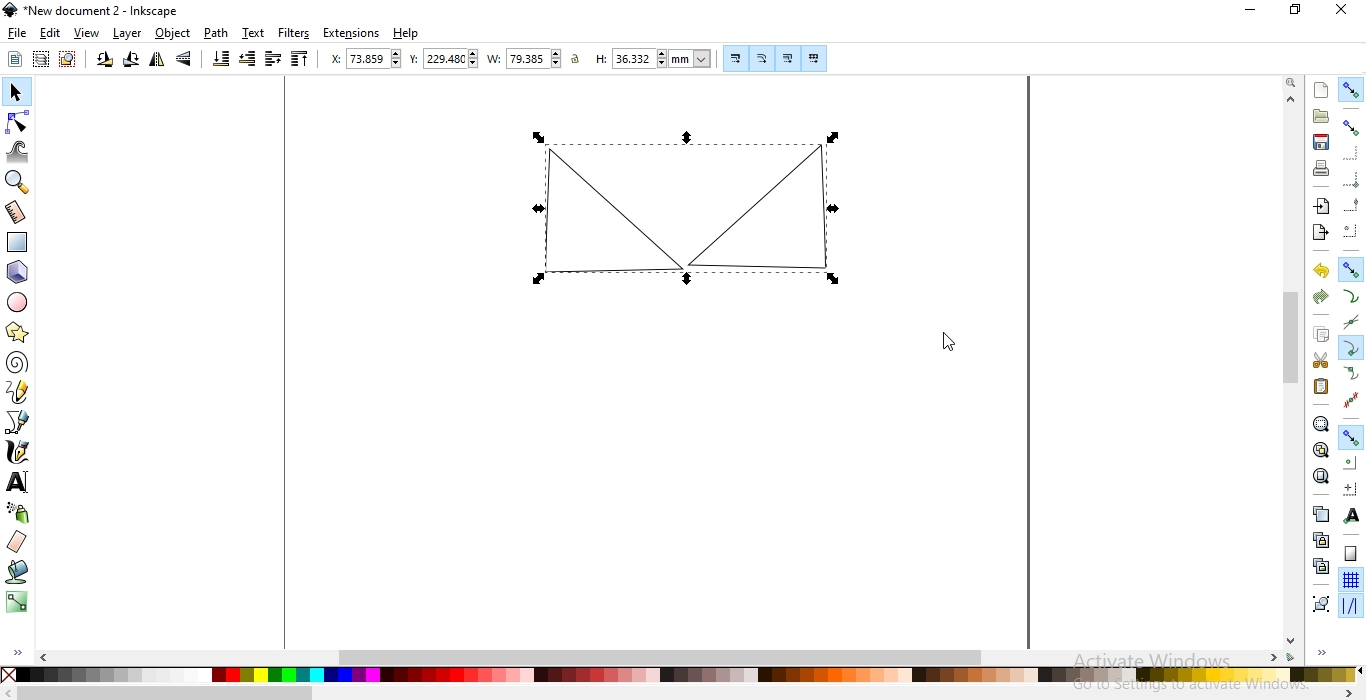  I want to click on snapping centers of bounding boxes, so click(1351, 229).